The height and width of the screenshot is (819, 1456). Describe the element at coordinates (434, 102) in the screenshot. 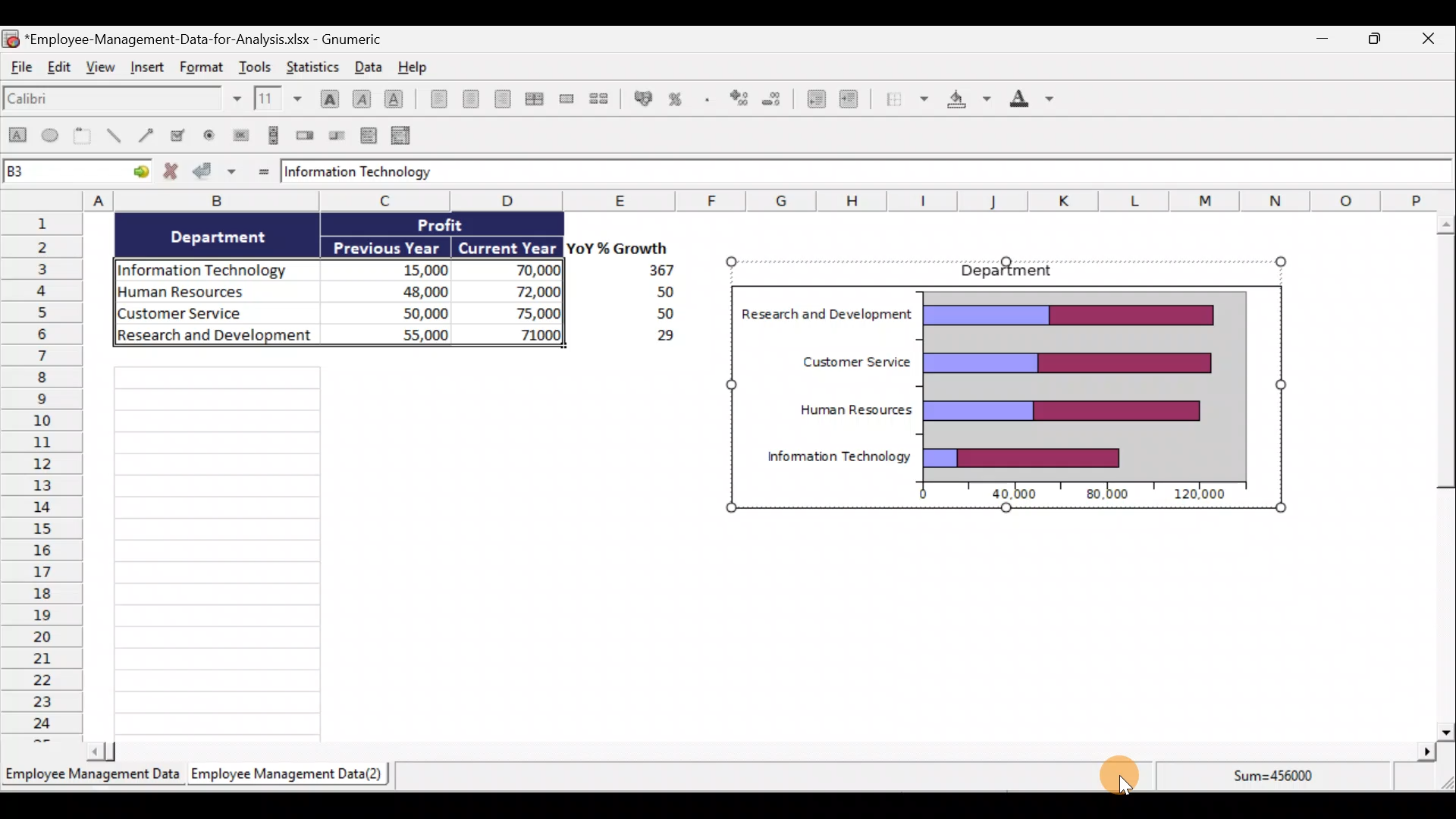

I see `Align left` at that location.